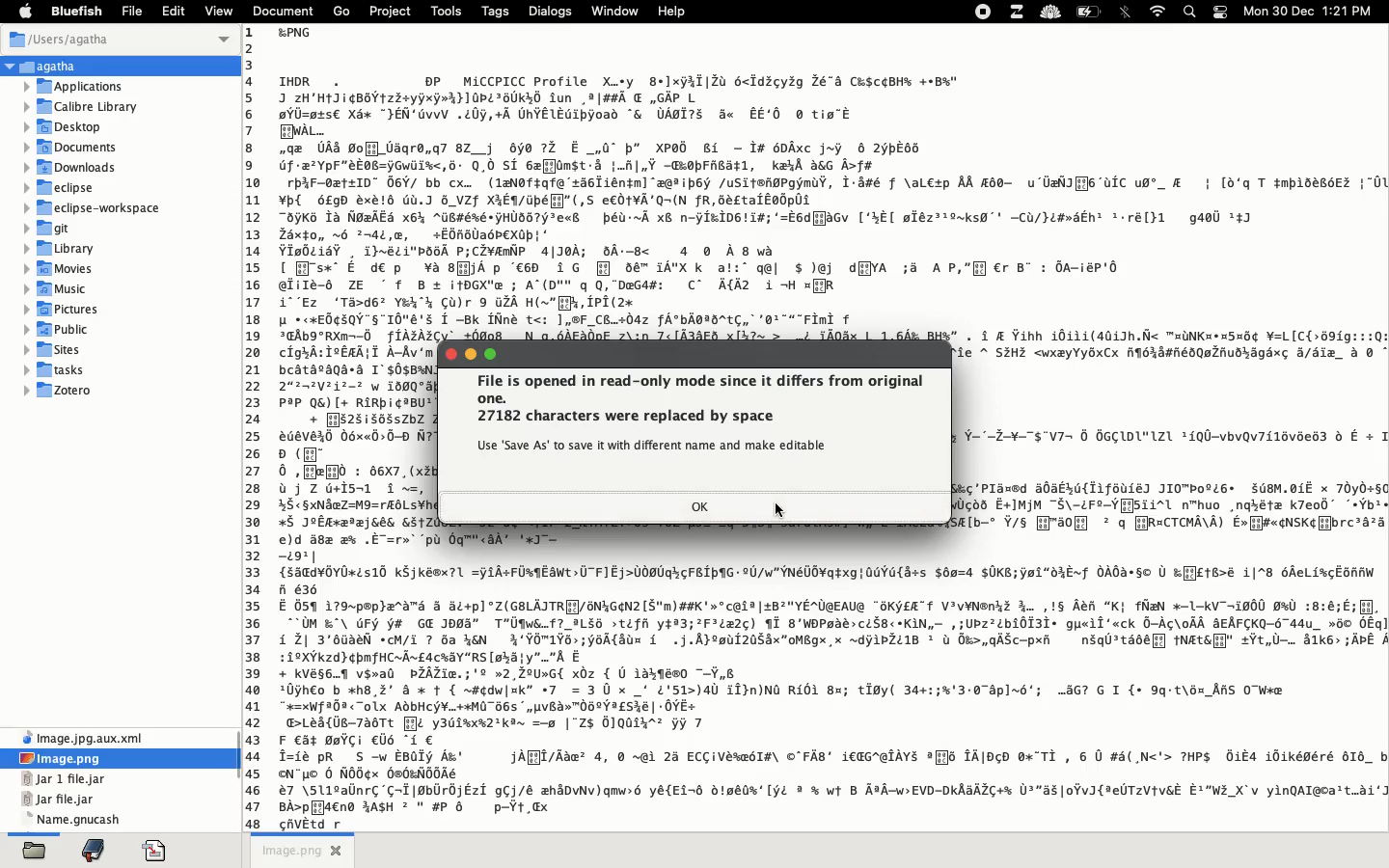 The height and width of the screenshot is (868, 1389). Describe the element at coordinates (1090, 12) in the screenshot. I see `charge` at that location.